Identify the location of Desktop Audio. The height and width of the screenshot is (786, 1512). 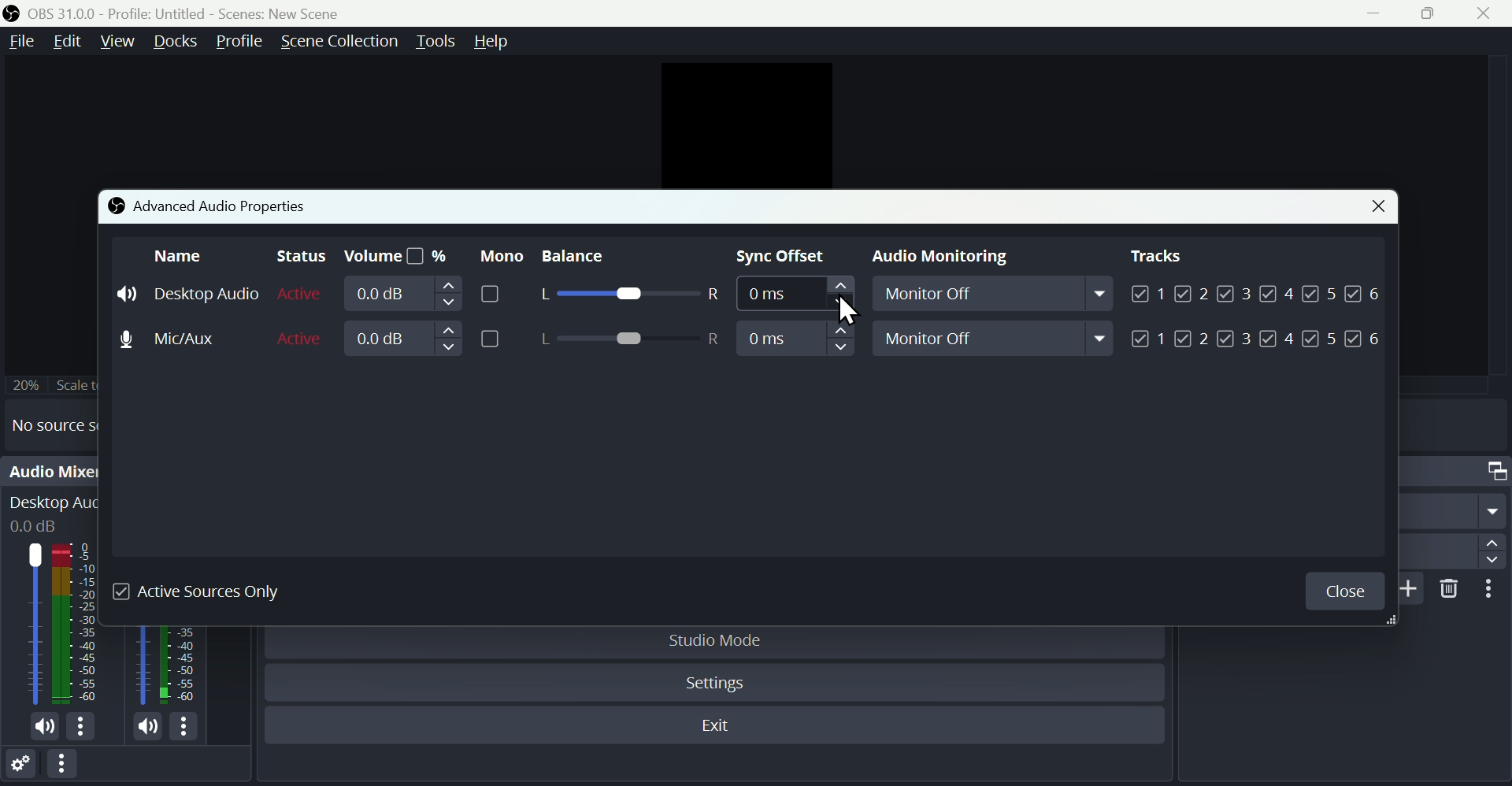
(78, 624).